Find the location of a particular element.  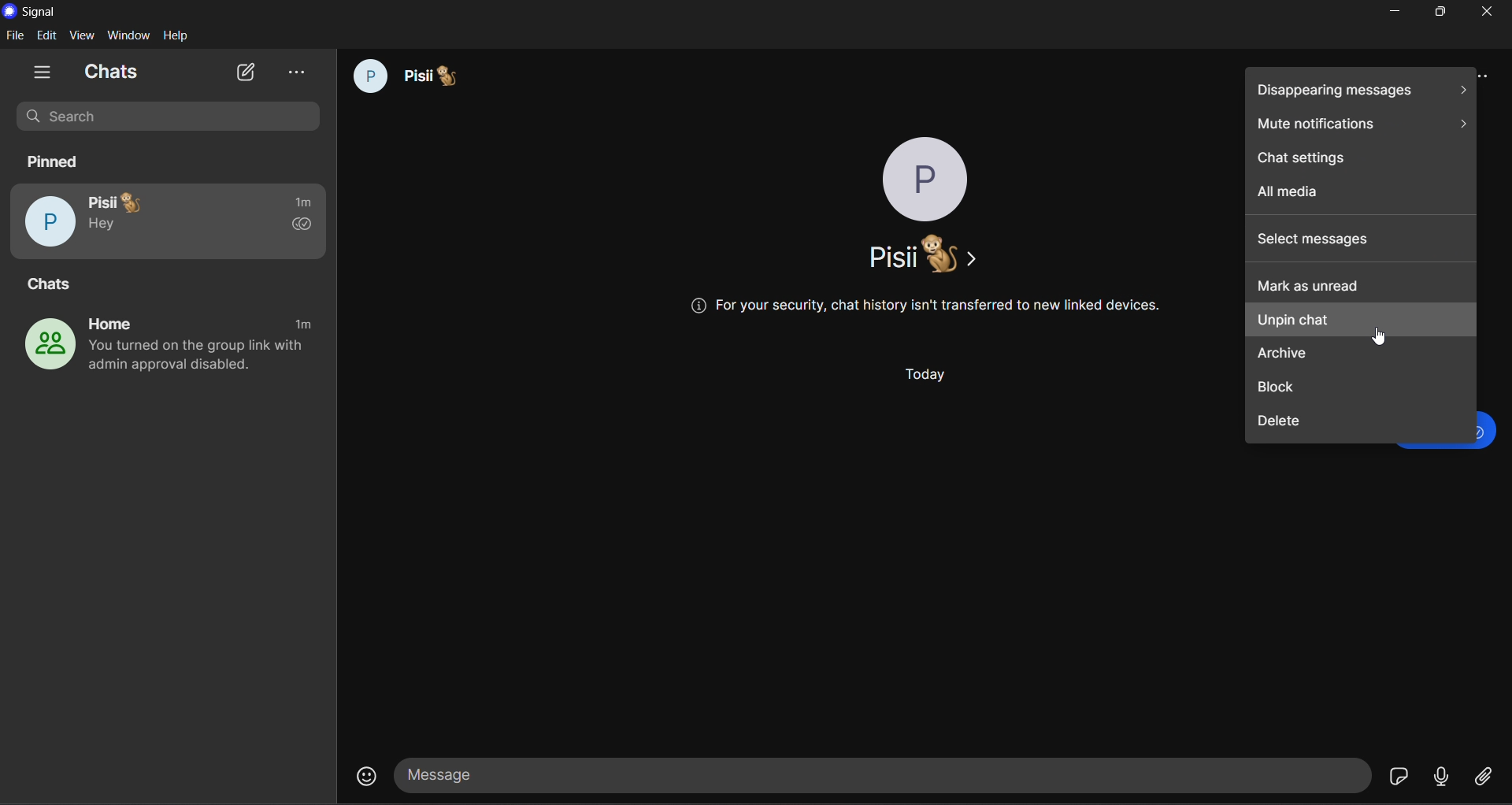

pisii pinned chat is located at coordinates (171, 223).